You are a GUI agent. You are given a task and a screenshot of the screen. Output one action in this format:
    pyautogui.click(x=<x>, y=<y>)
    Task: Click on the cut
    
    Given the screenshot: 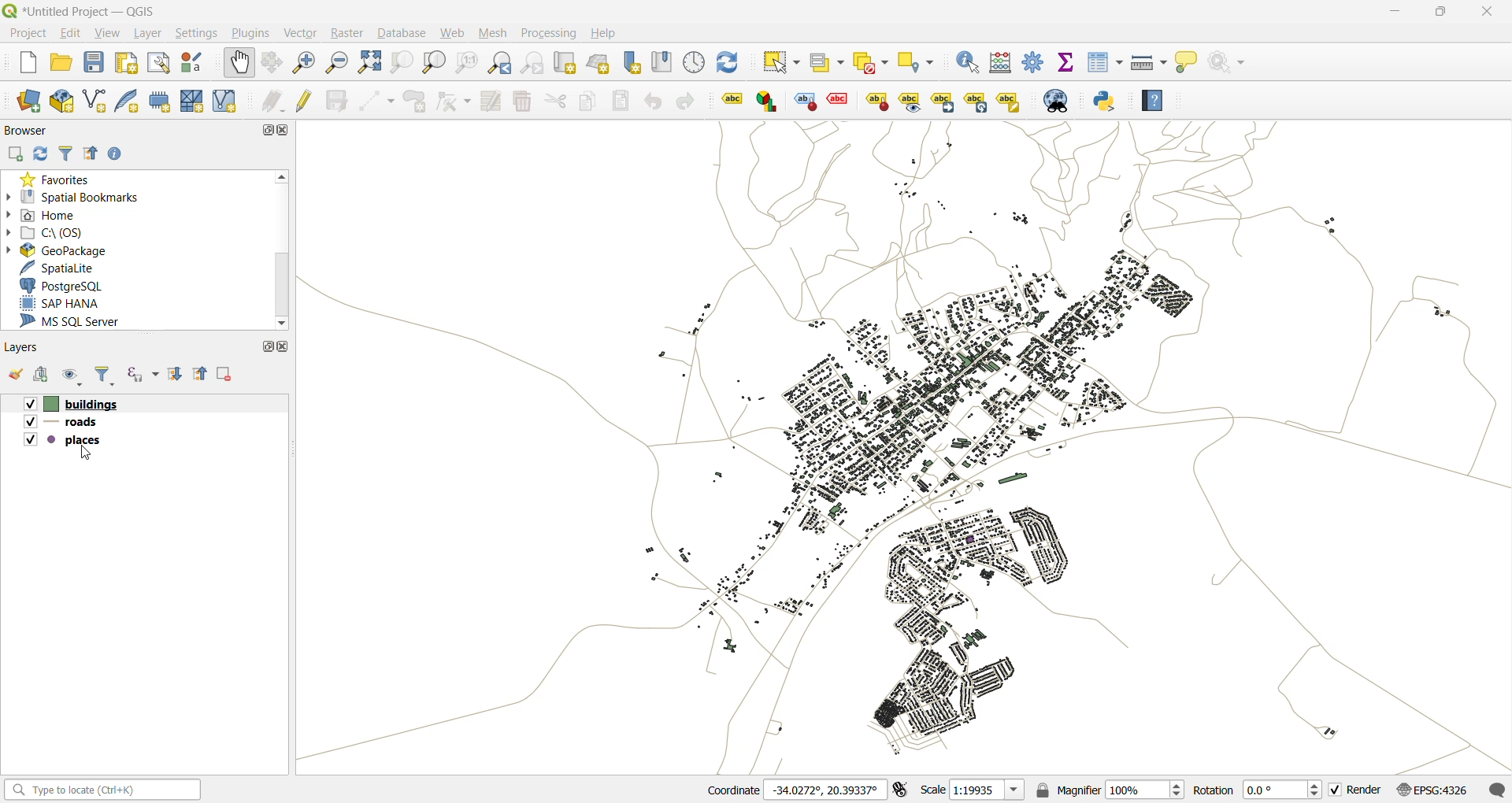 What is the action you would take?
    pyautogui.click(x=558, y=102)
    